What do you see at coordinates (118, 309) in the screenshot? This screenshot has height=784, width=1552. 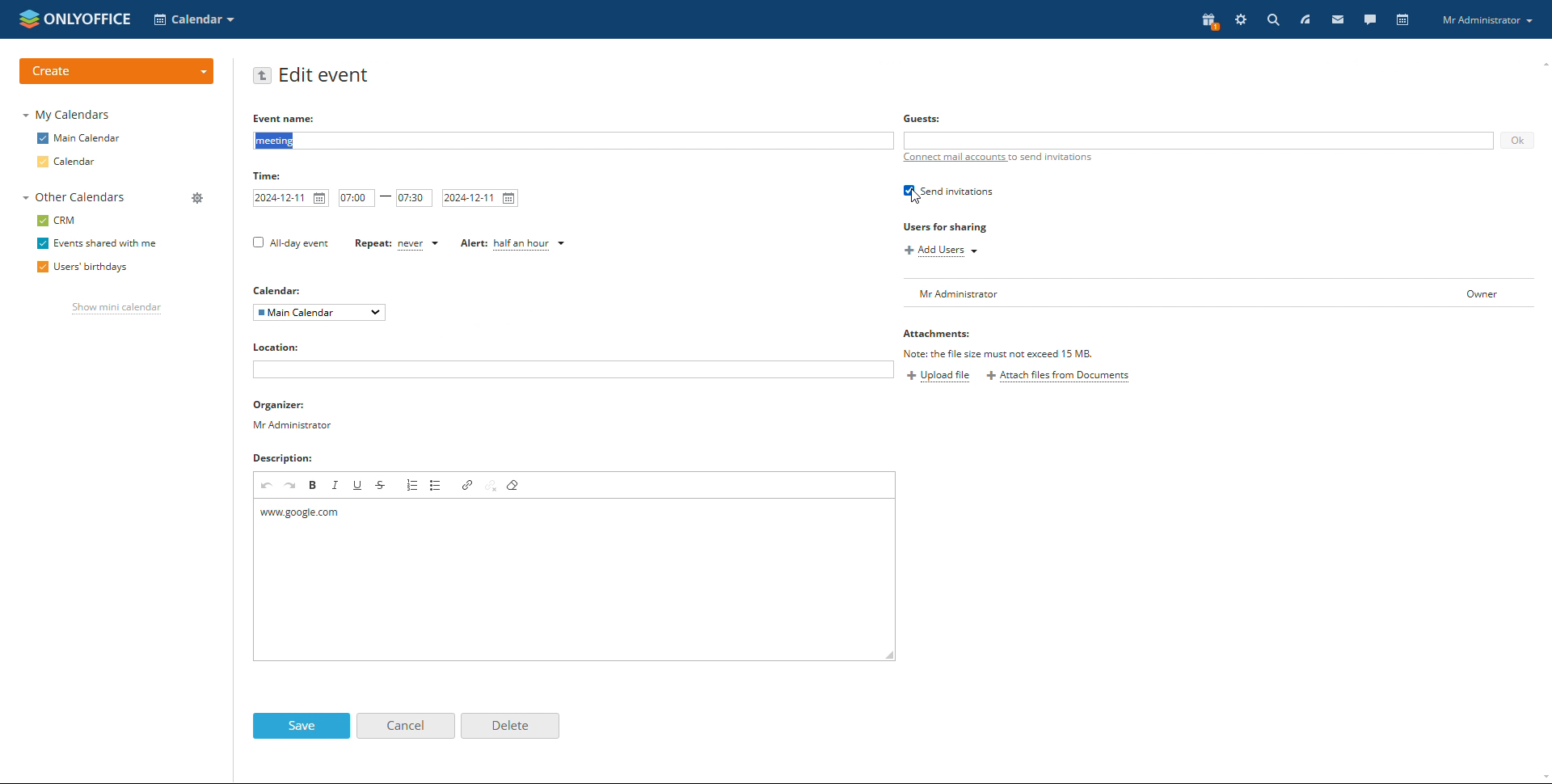 I see `show mini calendar` at bounding box center [118, 309].